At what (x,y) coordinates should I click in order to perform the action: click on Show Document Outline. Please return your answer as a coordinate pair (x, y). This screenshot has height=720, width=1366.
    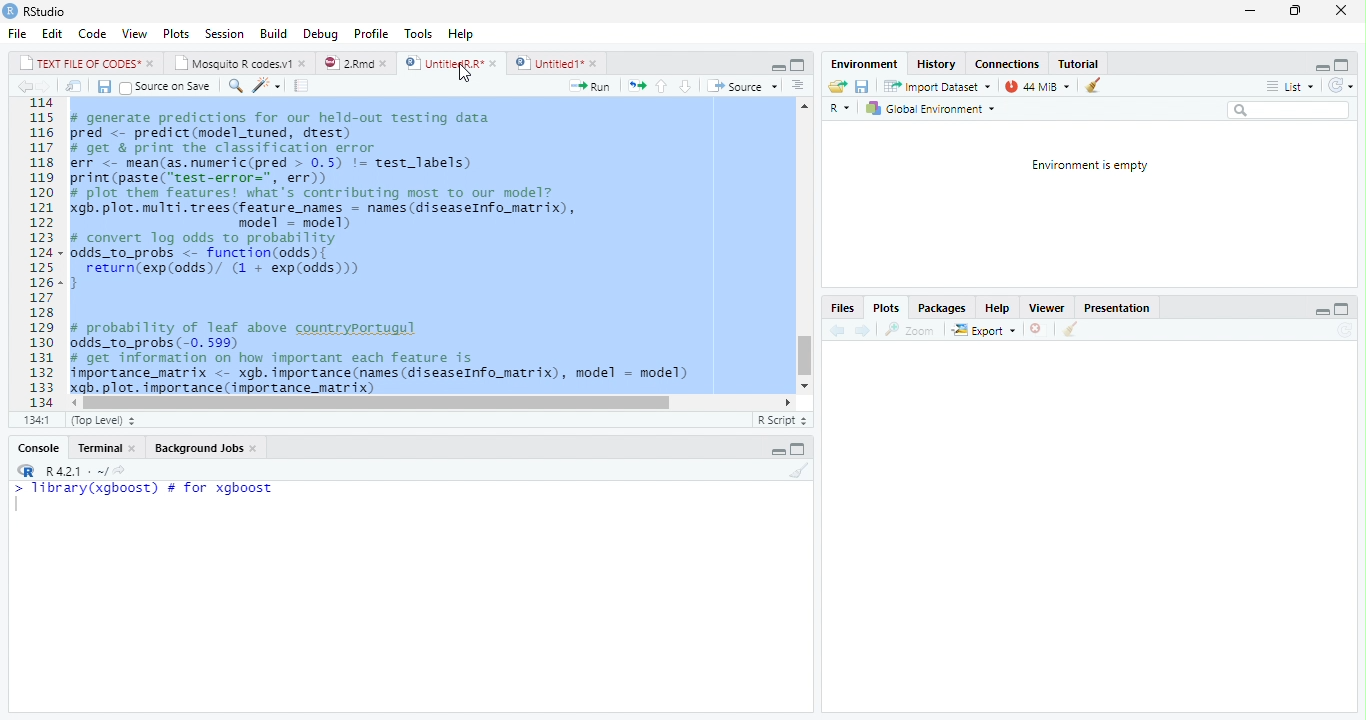
    Looking at the image, I should click on (799, 84).